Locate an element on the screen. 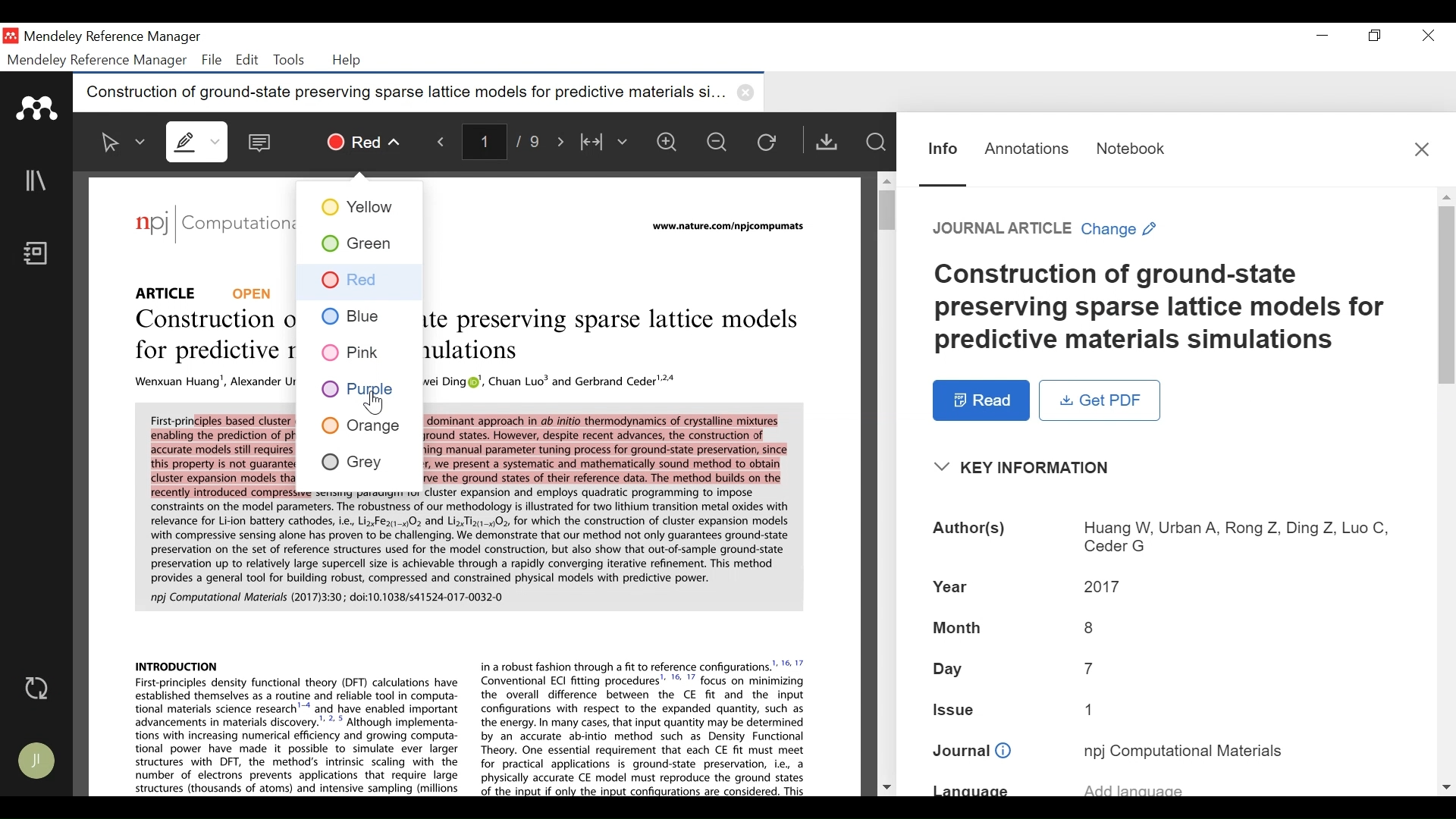  2017 is located at coordinates (1097, 585).